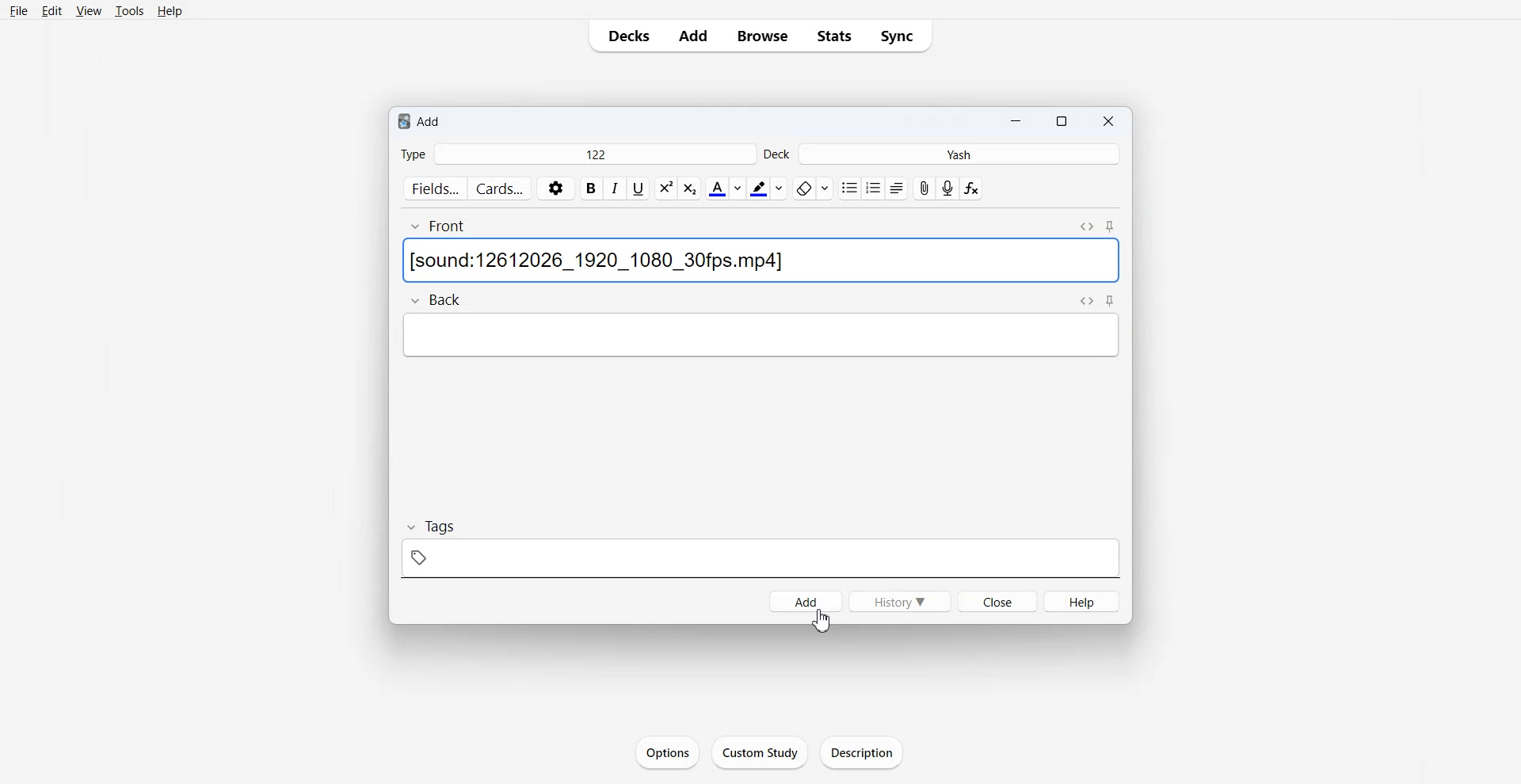  I want to click on 122, so click(593, 154).